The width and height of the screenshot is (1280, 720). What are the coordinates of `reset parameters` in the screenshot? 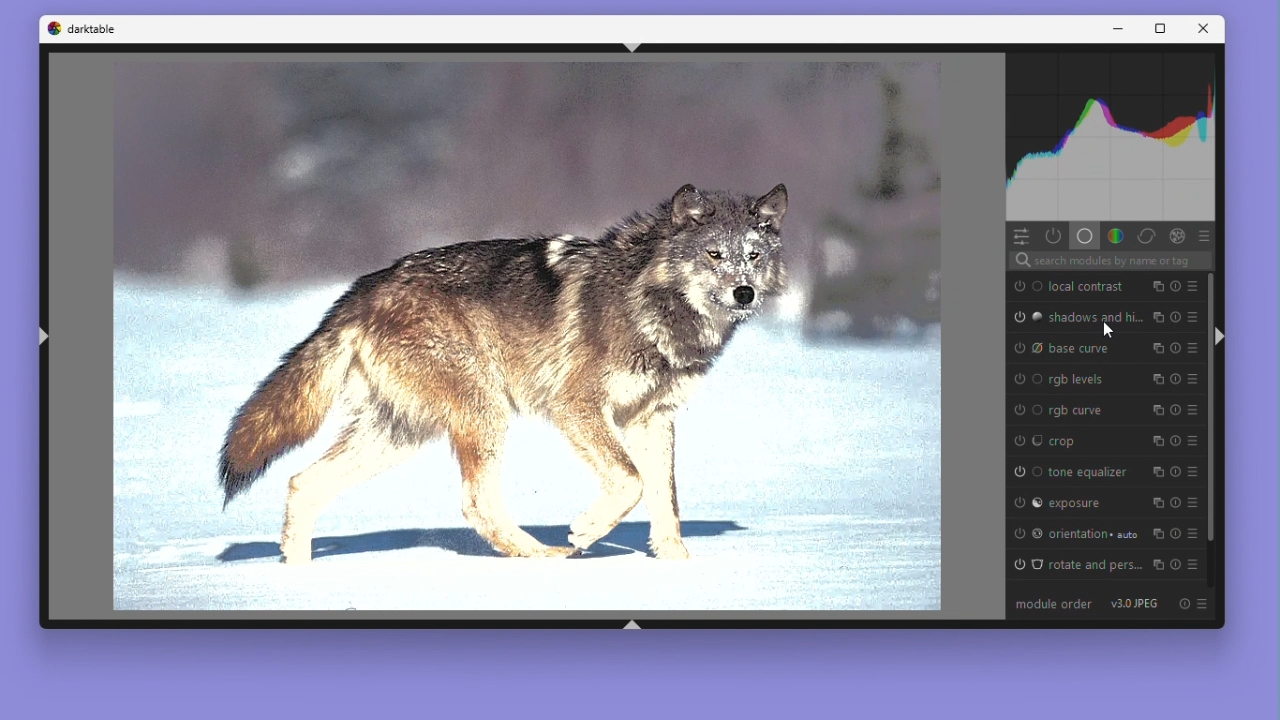 It's located at (1175, 472).